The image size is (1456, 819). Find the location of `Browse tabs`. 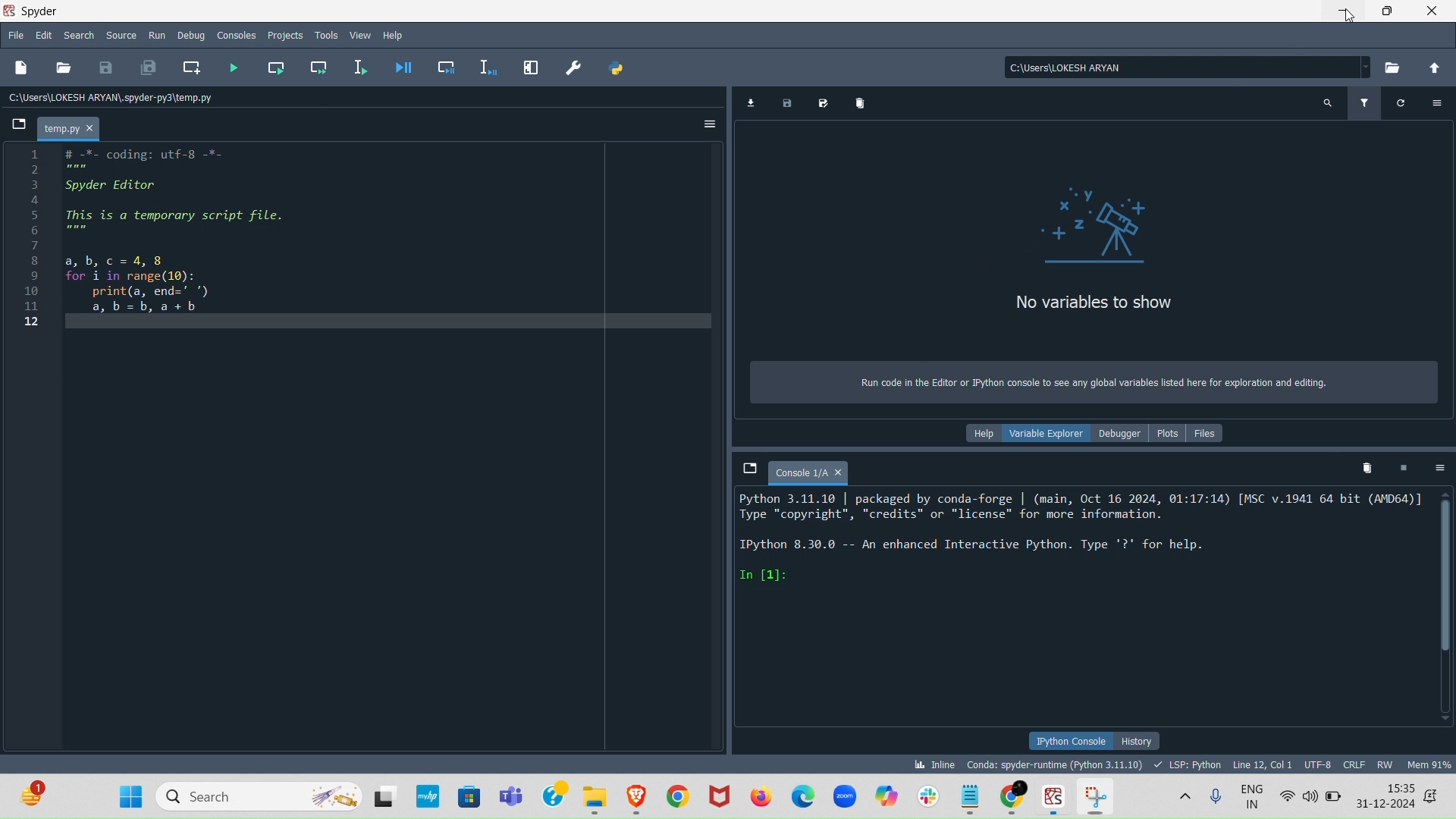

Browse tabs is located at coordinates (742, 466).